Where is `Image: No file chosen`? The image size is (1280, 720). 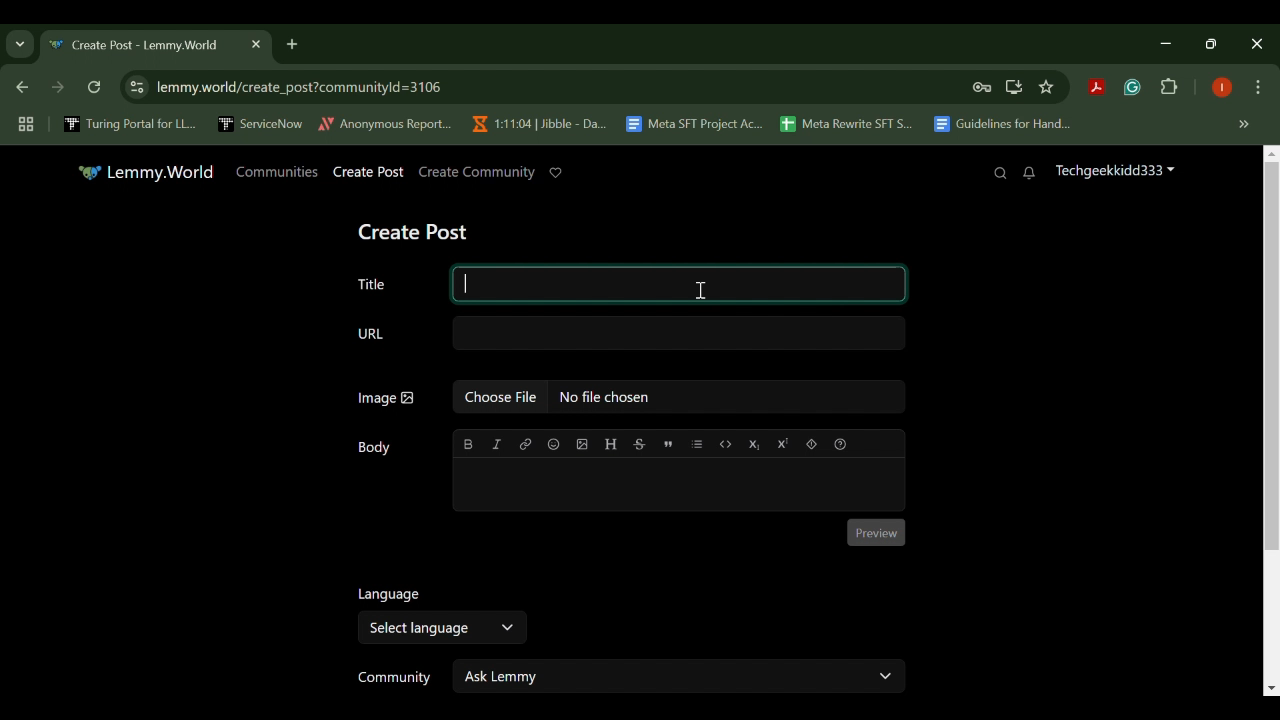 Image: No file chosen is located at coordinates (630, 400).